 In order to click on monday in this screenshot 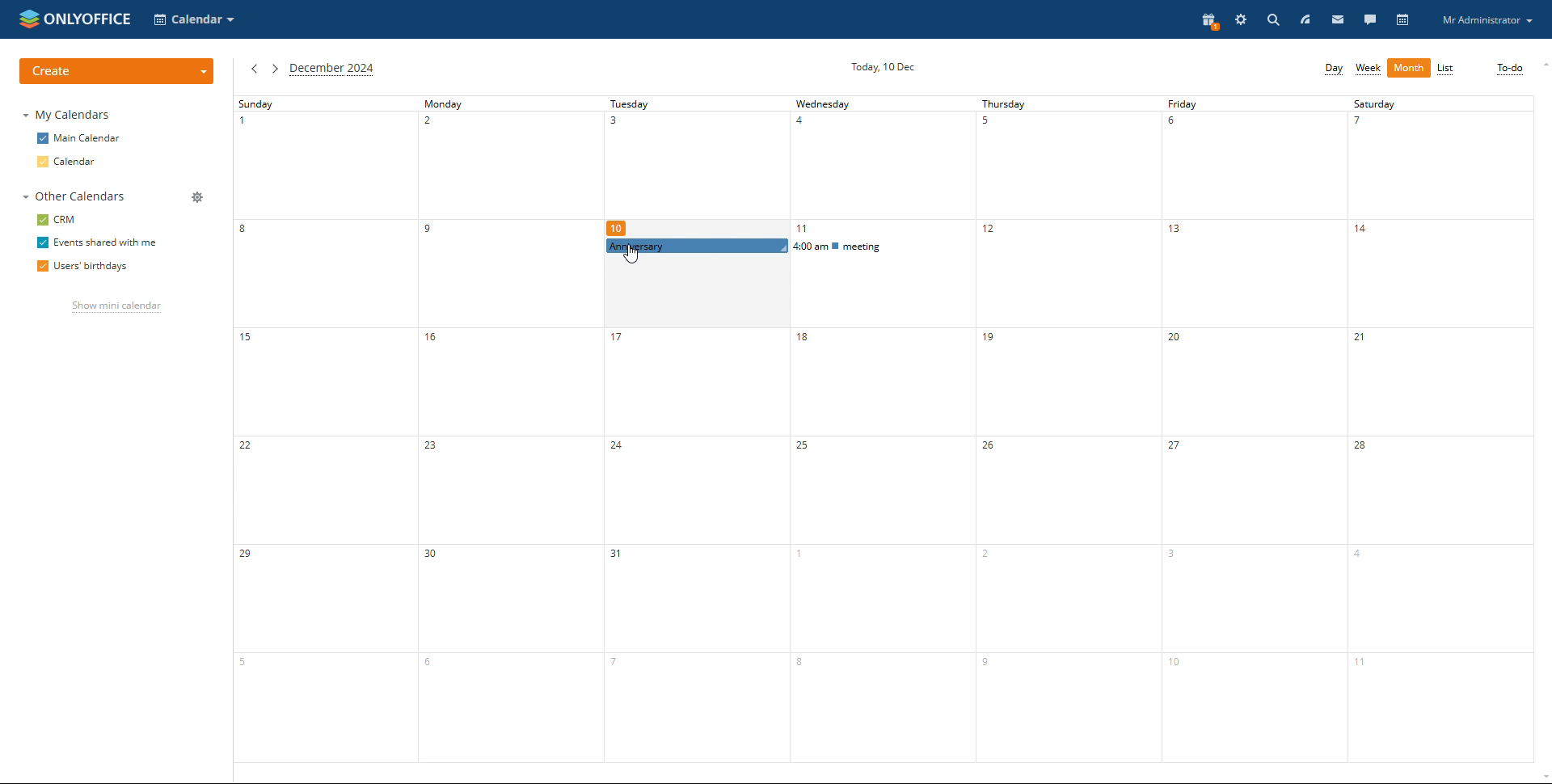, I will do `click(504, 428)`.